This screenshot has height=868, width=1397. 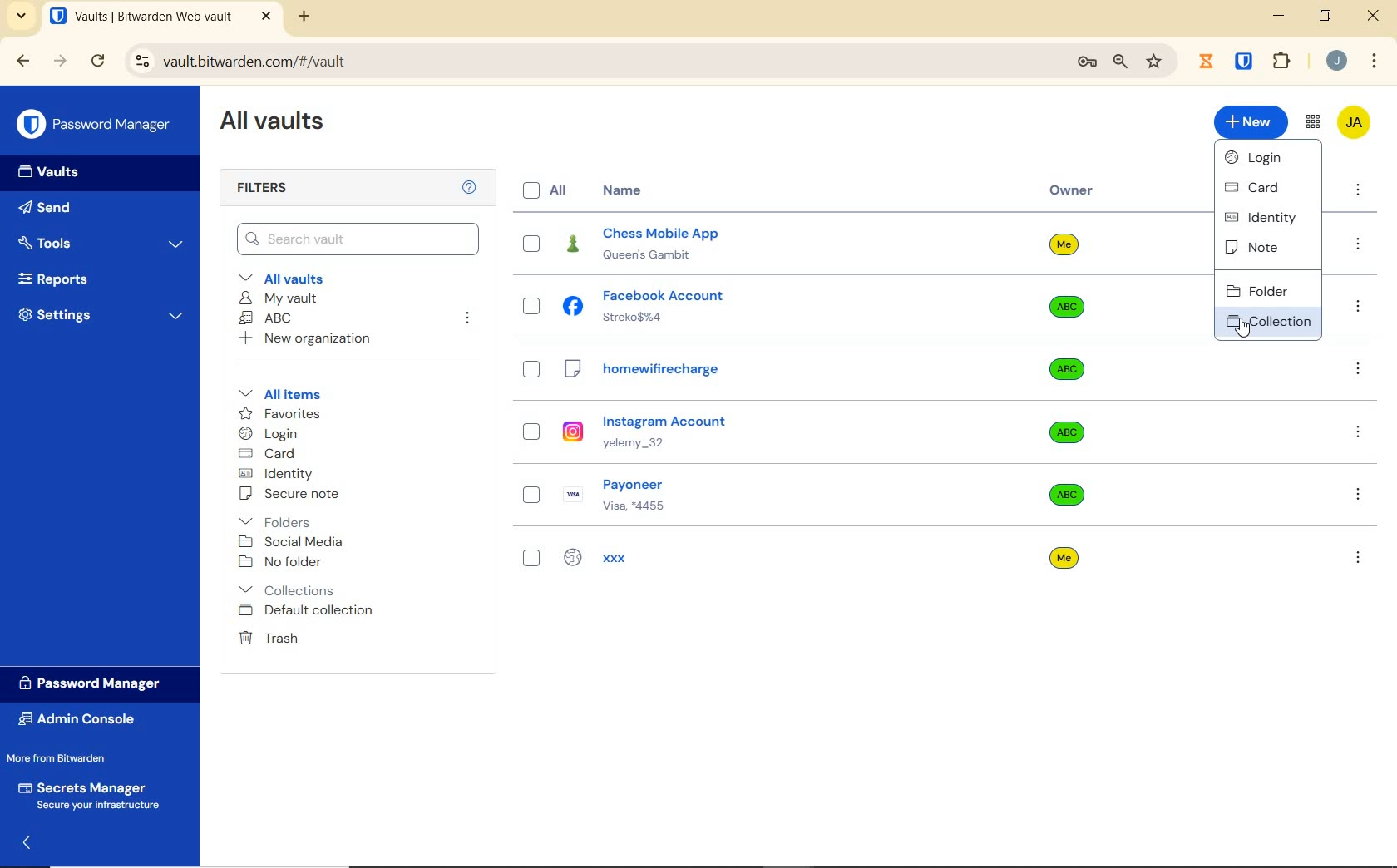 I want to click on more options, so click(x=1361, y=557).